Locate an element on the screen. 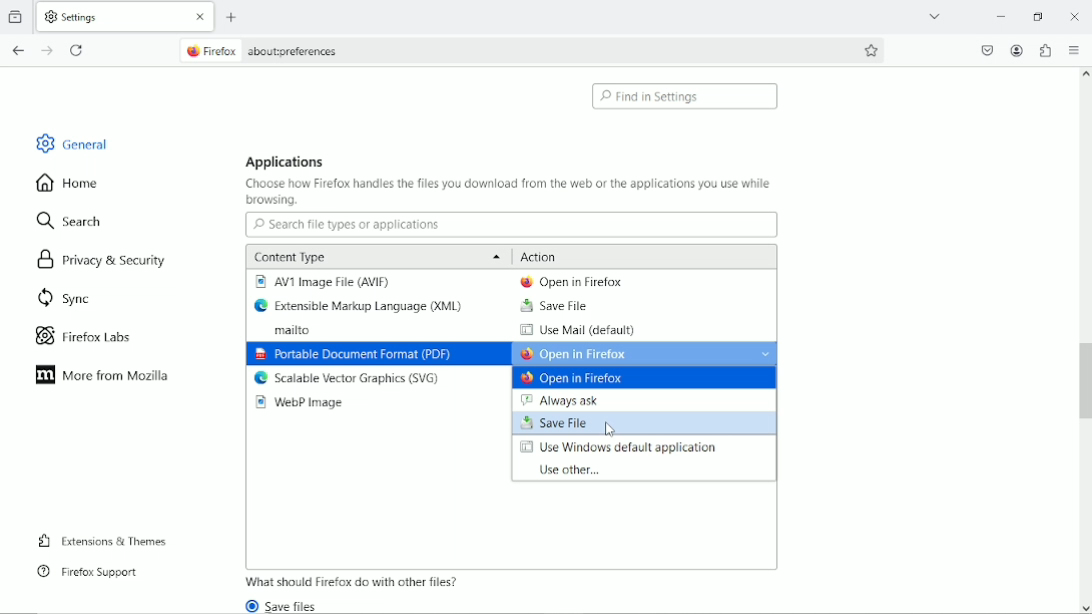  Close is located at coordinates (1074, 14).